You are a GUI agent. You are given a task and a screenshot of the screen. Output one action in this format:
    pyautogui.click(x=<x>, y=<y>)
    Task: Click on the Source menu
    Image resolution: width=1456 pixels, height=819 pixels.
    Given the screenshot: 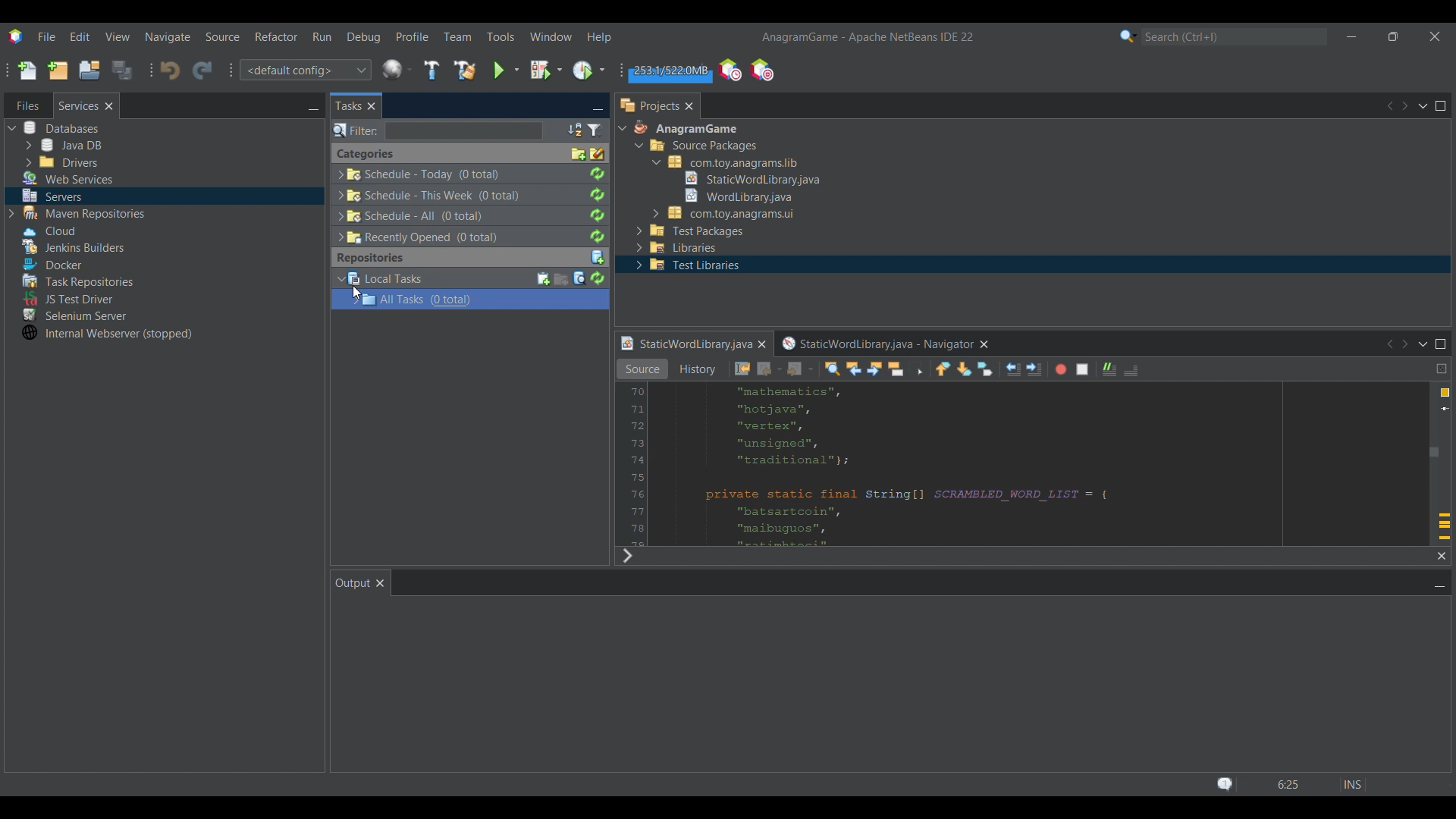 What is the action you would take?
    pyautogui.click(x=221, y=36)
    